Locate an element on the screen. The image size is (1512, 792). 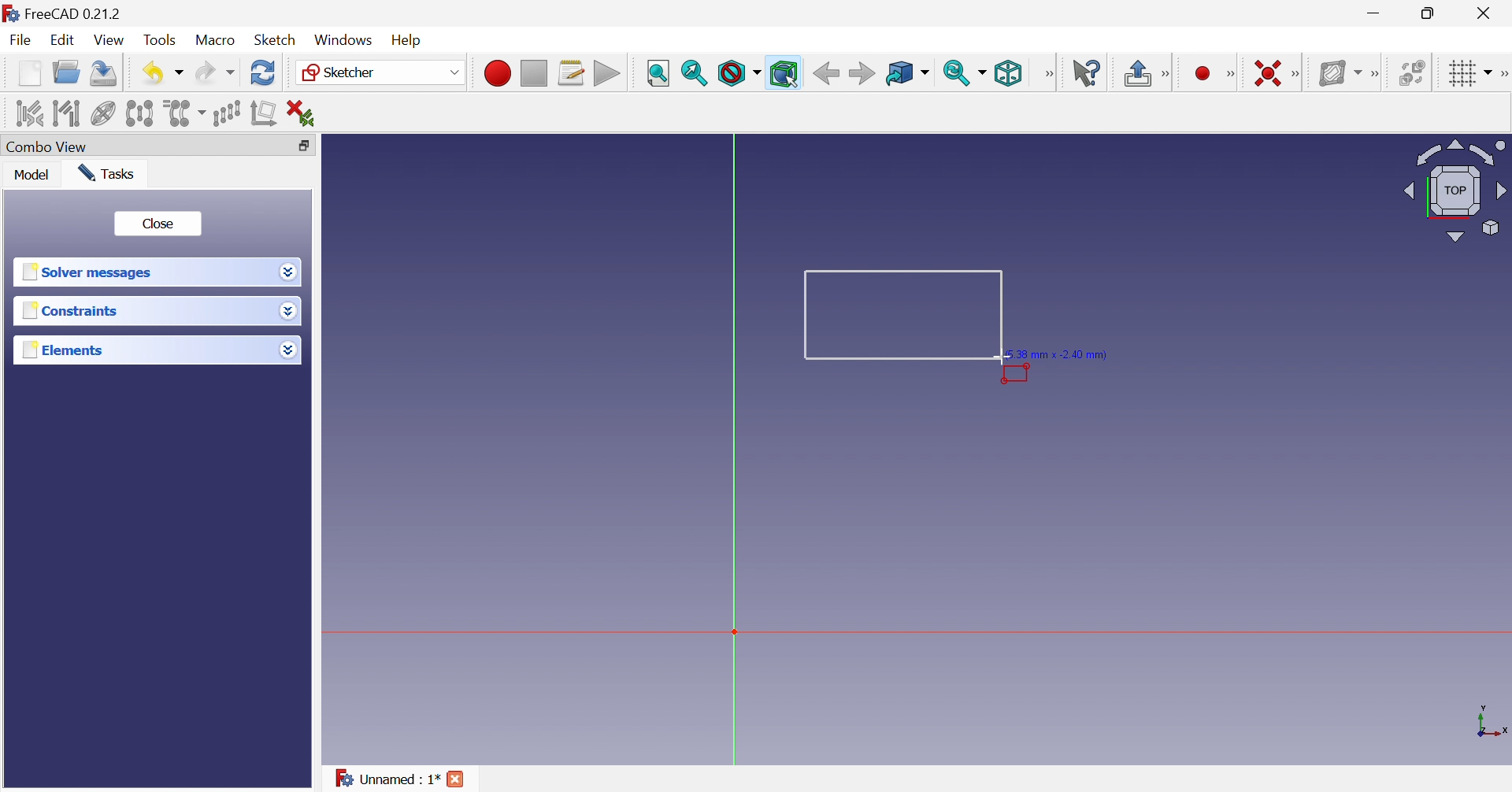
Create circle is located at coordinates (1203, 74).